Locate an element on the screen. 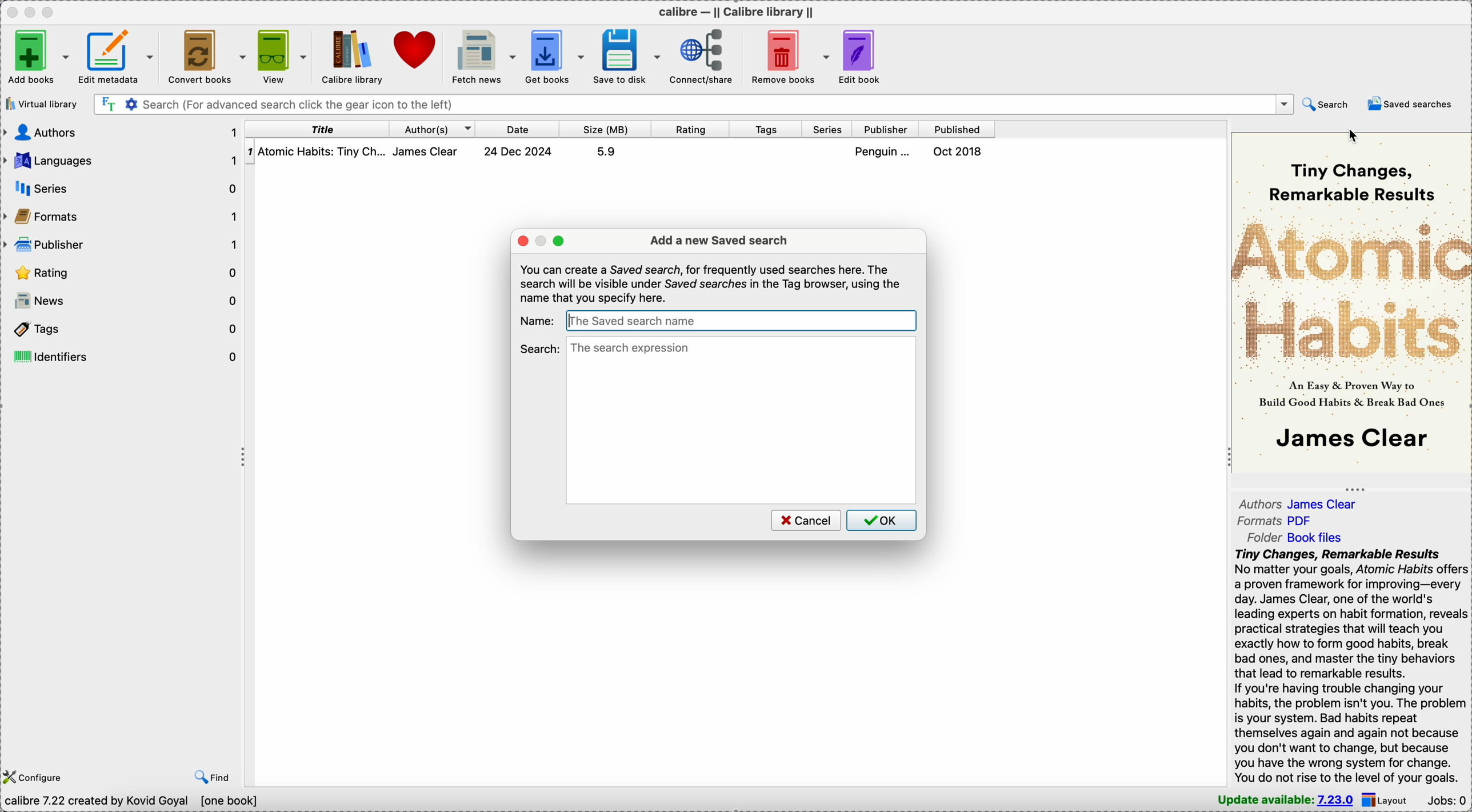  Calibre library is located at coordinates (351, 56).